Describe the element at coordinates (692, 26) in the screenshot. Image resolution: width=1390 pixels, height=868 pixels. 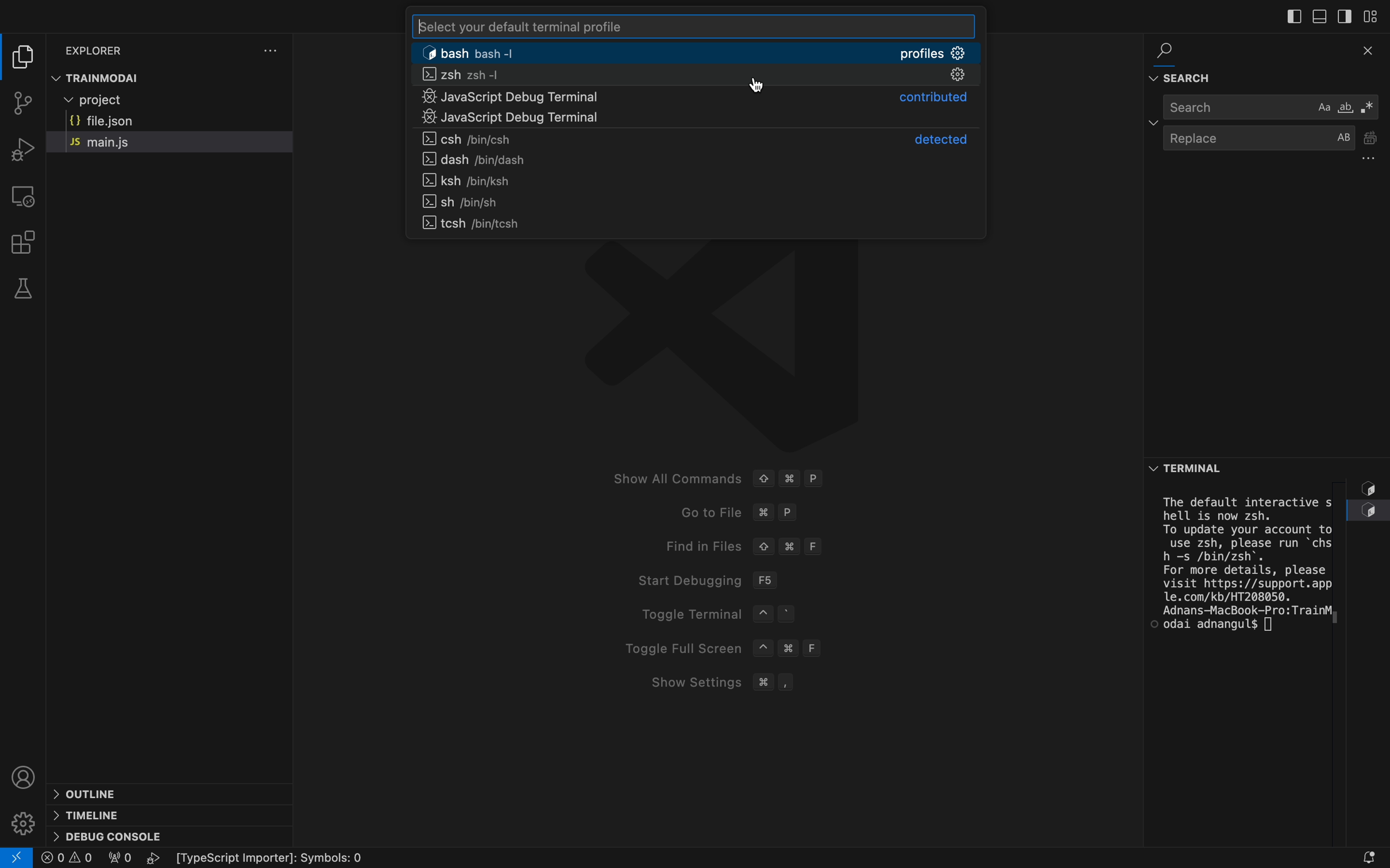
I see `terminal type search bar` at that location.